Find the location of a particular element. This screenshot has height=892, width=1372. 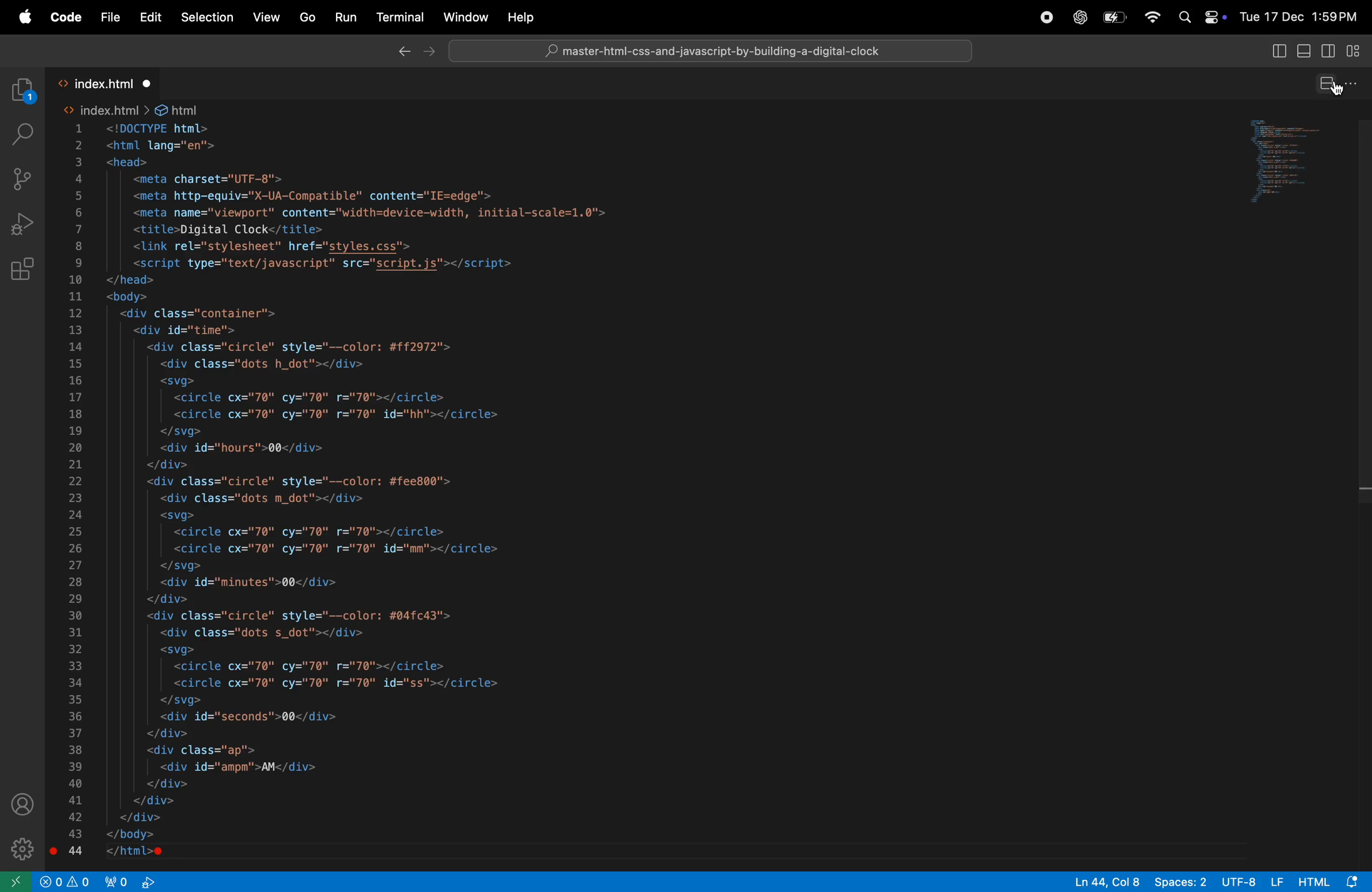

collapse bar is located at coordinates (1354, 53).